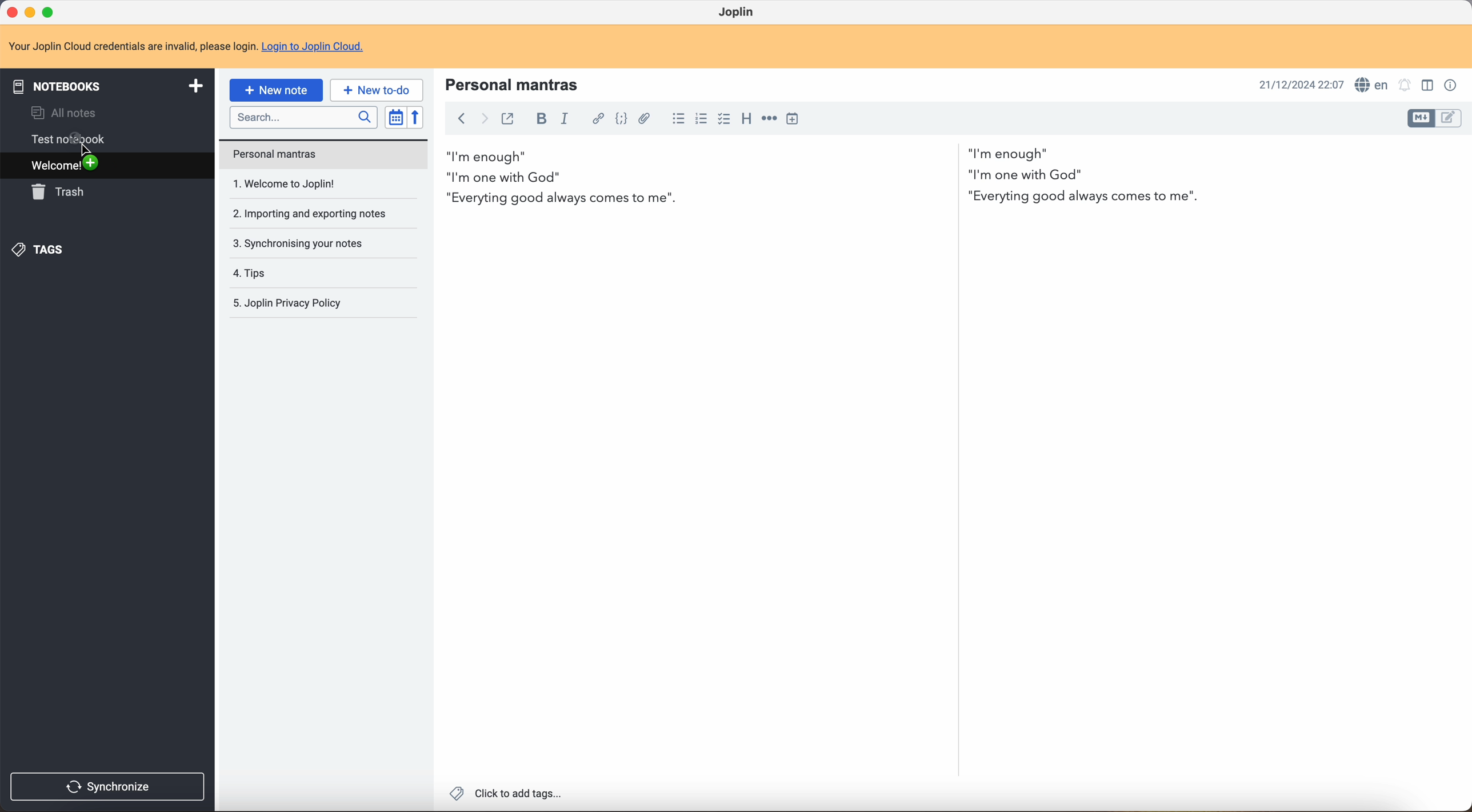  What do you see at coordinates (69, 114) in the screenshot?
I see `all notes` at bounding box center [69, 114].